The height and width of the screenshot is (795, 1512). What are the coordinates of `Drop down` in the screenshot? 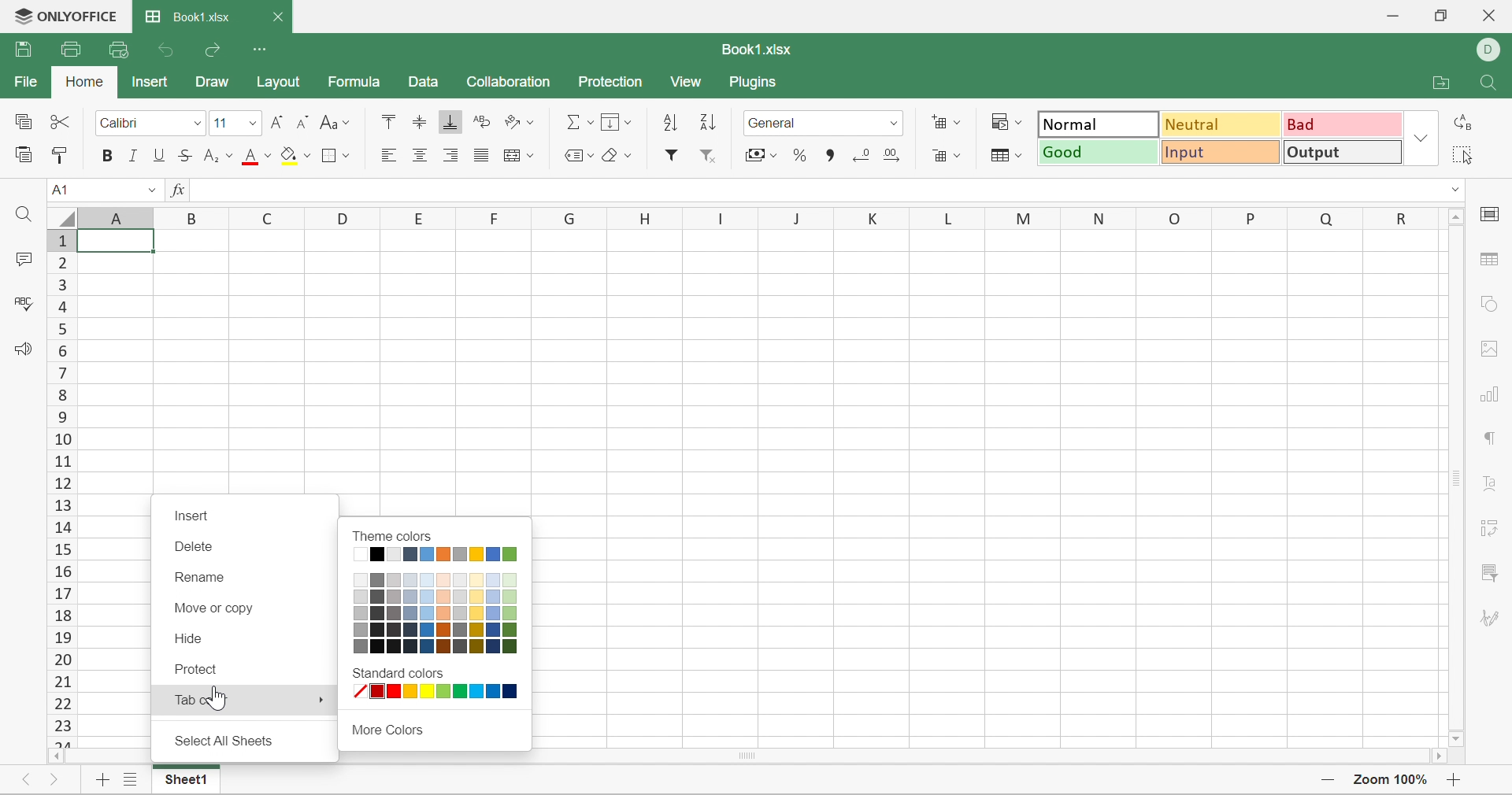 It's located at (1456, 190).